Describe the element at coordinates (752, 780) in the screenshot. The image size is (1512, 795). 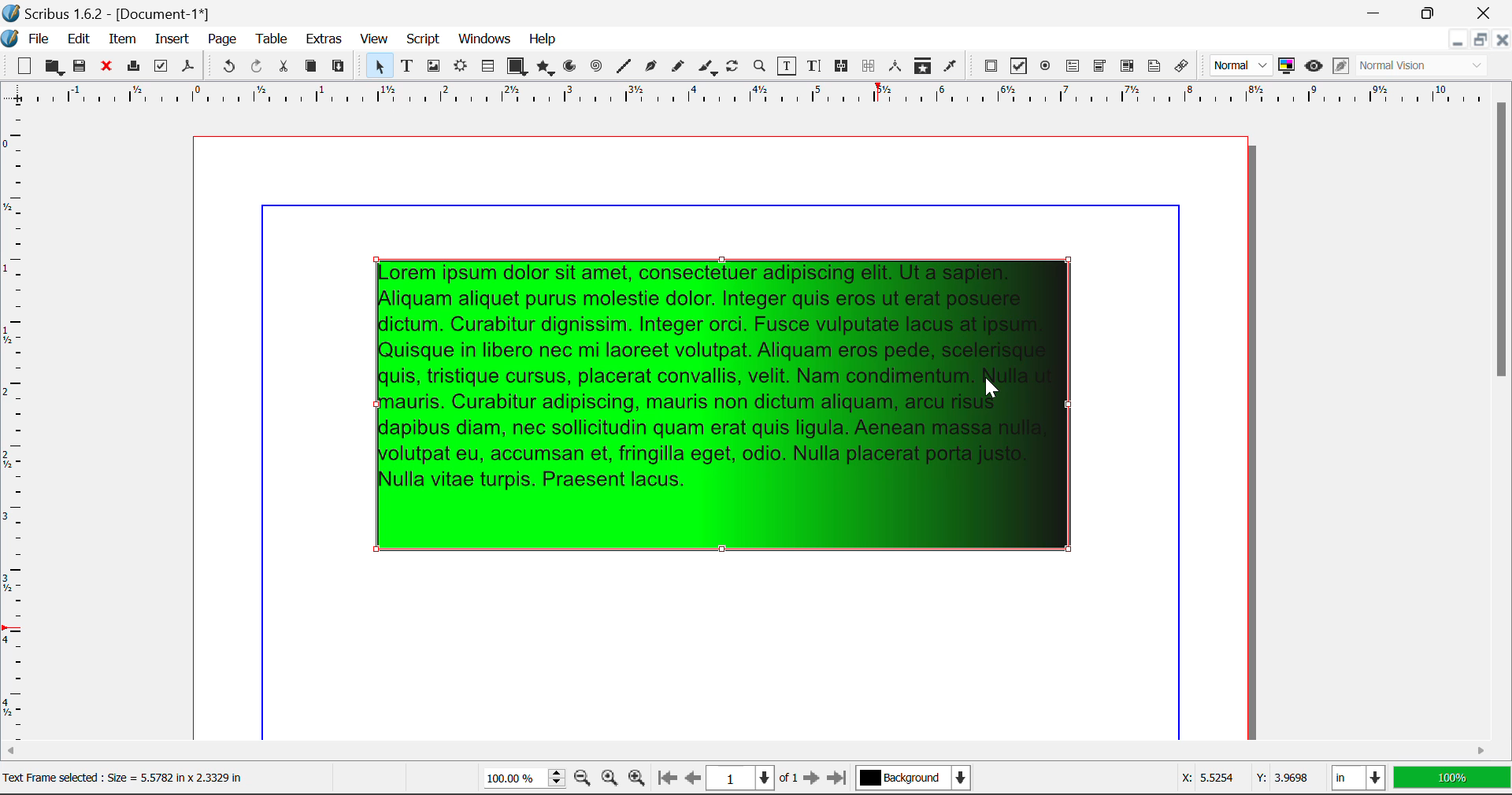
I see `Page 1 of 1` at that location.